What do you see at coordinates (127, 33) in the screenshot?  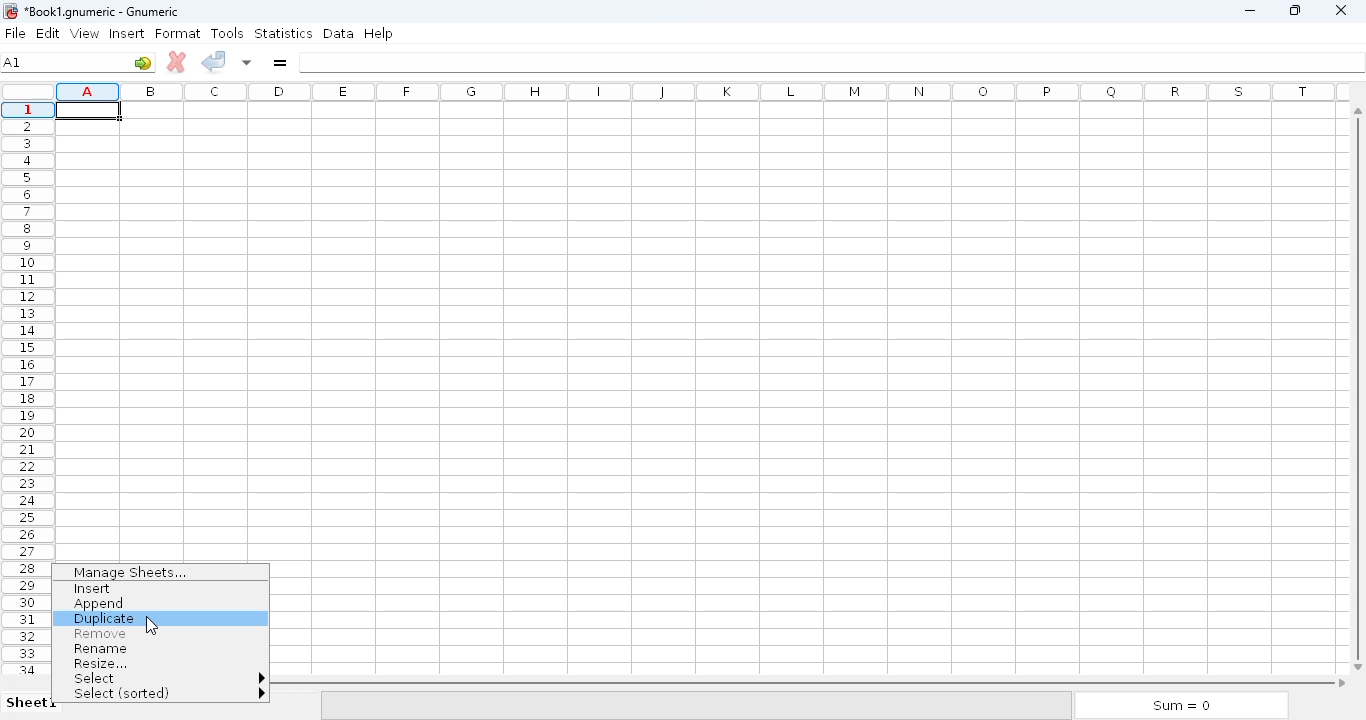 I see `insert` at bounding box center [127, 33].